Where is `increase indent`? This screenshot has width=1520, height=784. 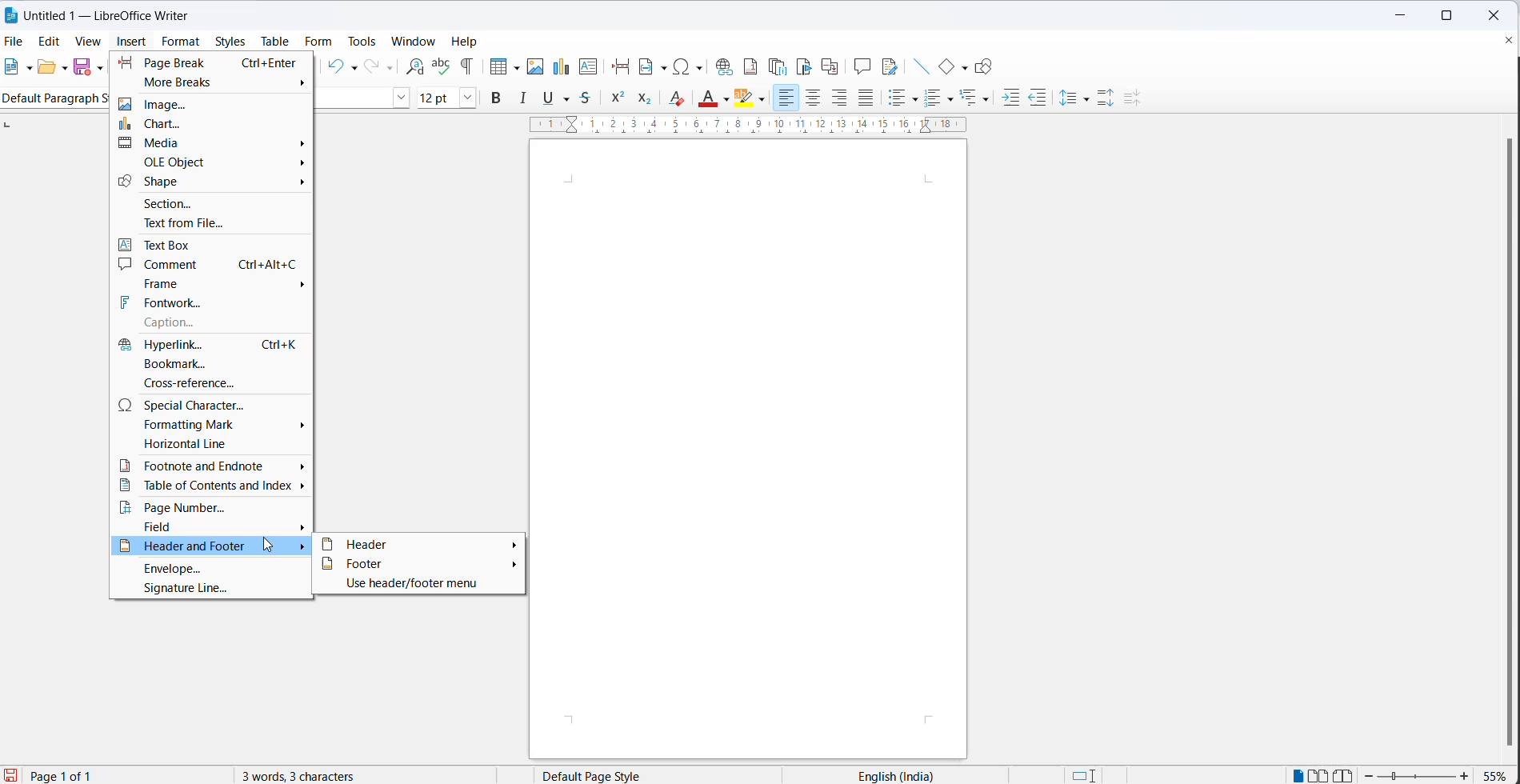 increase indent is located at coordinates (1010, 98).